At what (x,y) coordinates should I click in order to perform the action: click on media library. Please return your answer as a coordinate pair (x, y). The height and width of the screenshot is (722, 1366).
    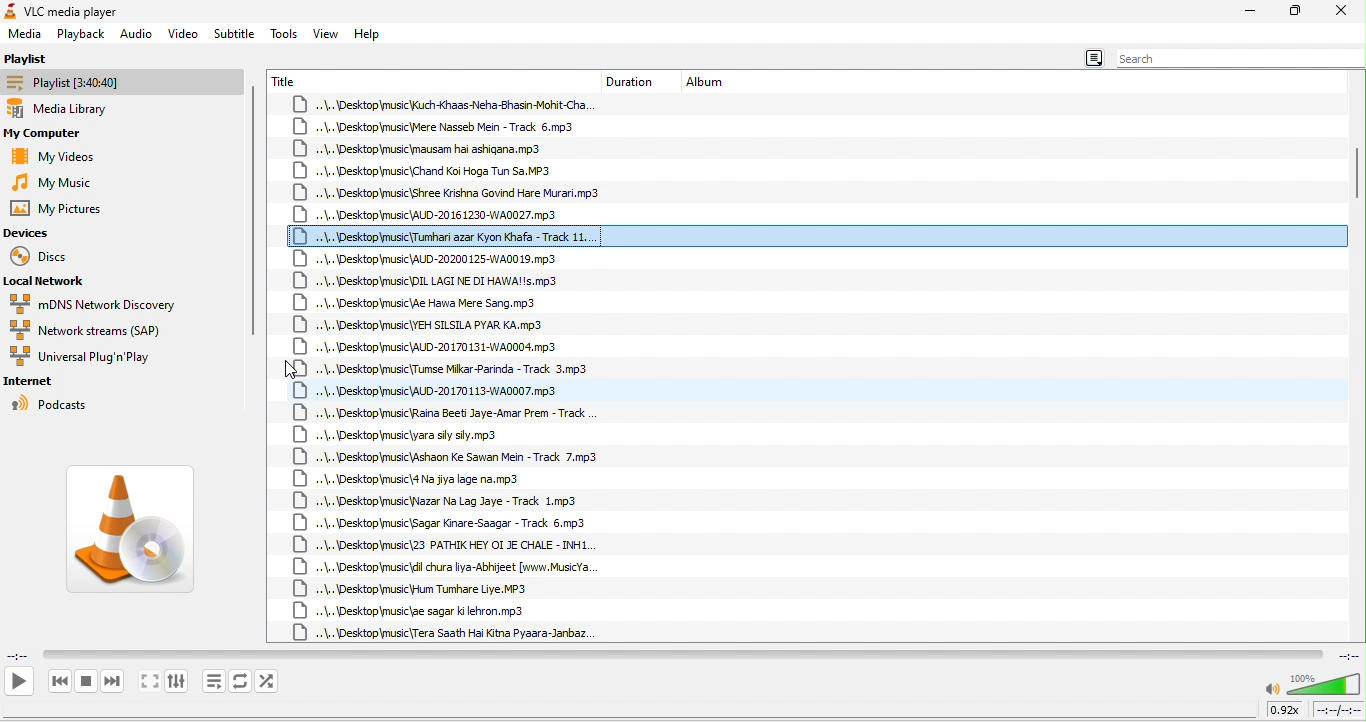
    Looking at the image, I should click on (73, 110).